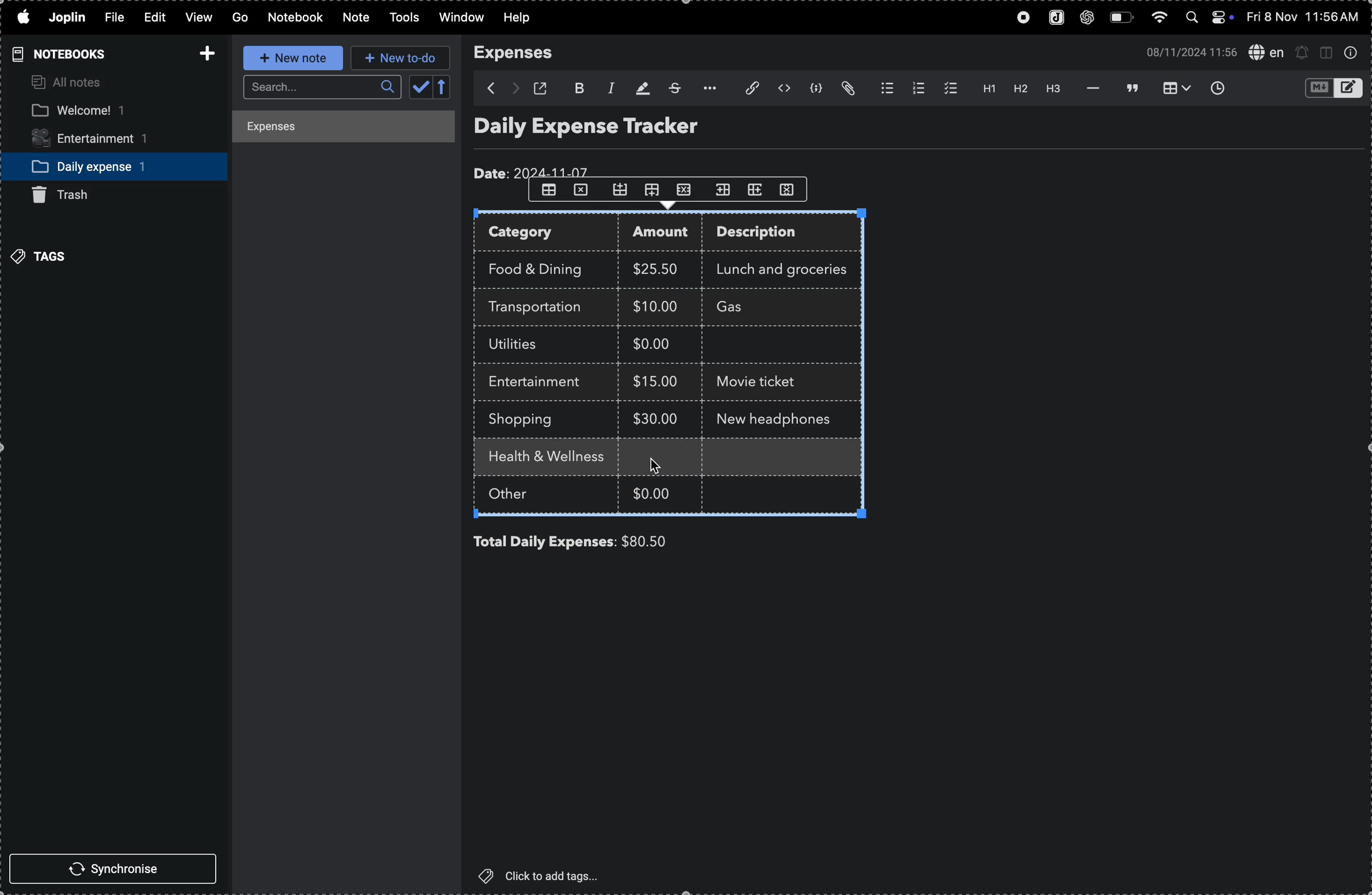  What do you see at coordinates (948, 88) in the screenshot?
I see `checklist` at bounding box center [948, 88].